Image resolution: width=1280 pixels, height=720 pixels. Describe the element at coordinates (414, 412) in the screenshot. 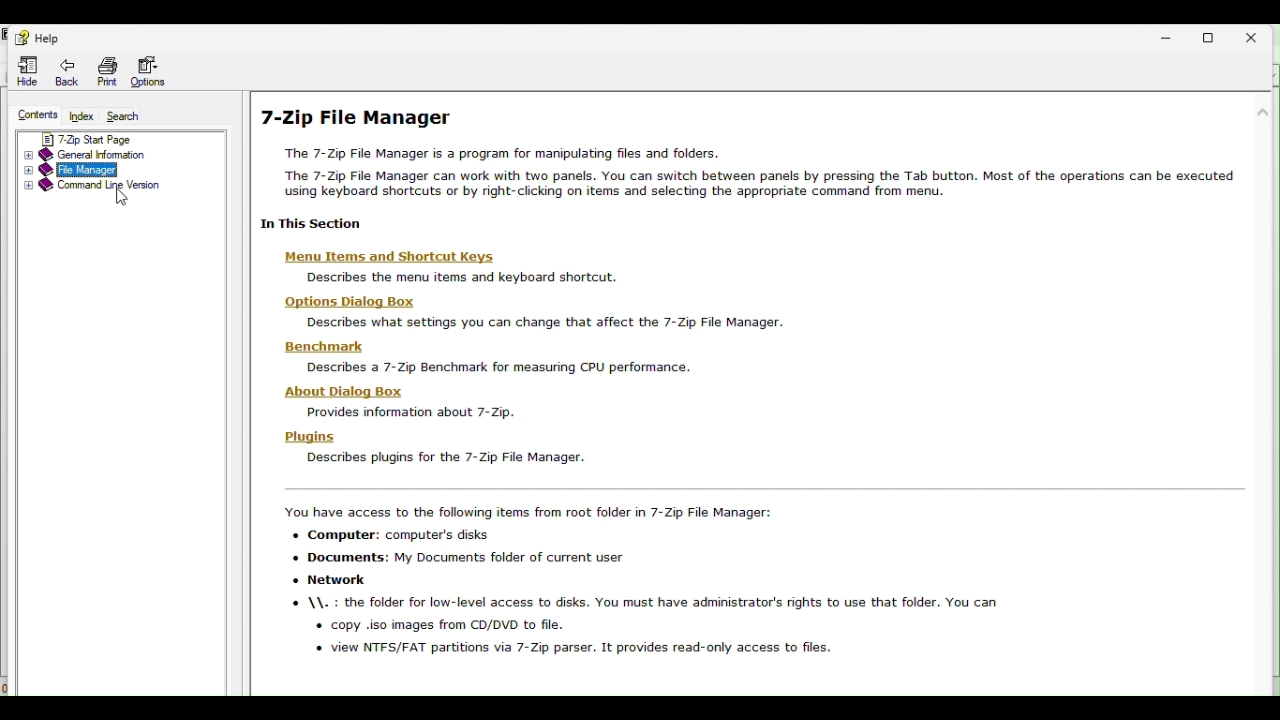

I see `provides information about 7-zip` at that location.